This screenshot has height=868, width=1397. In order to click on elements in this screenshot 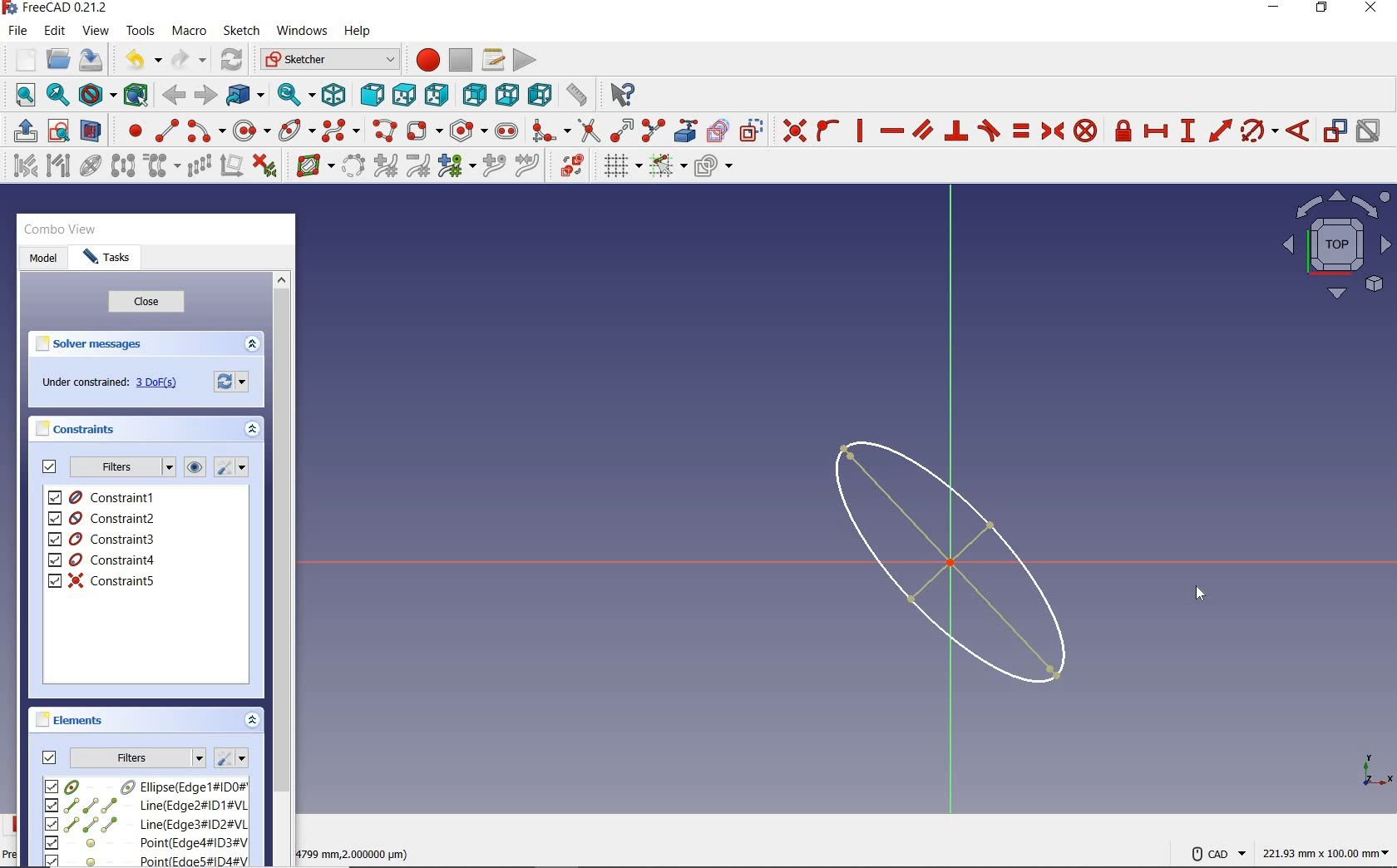, I will do `click(72, 719)`.